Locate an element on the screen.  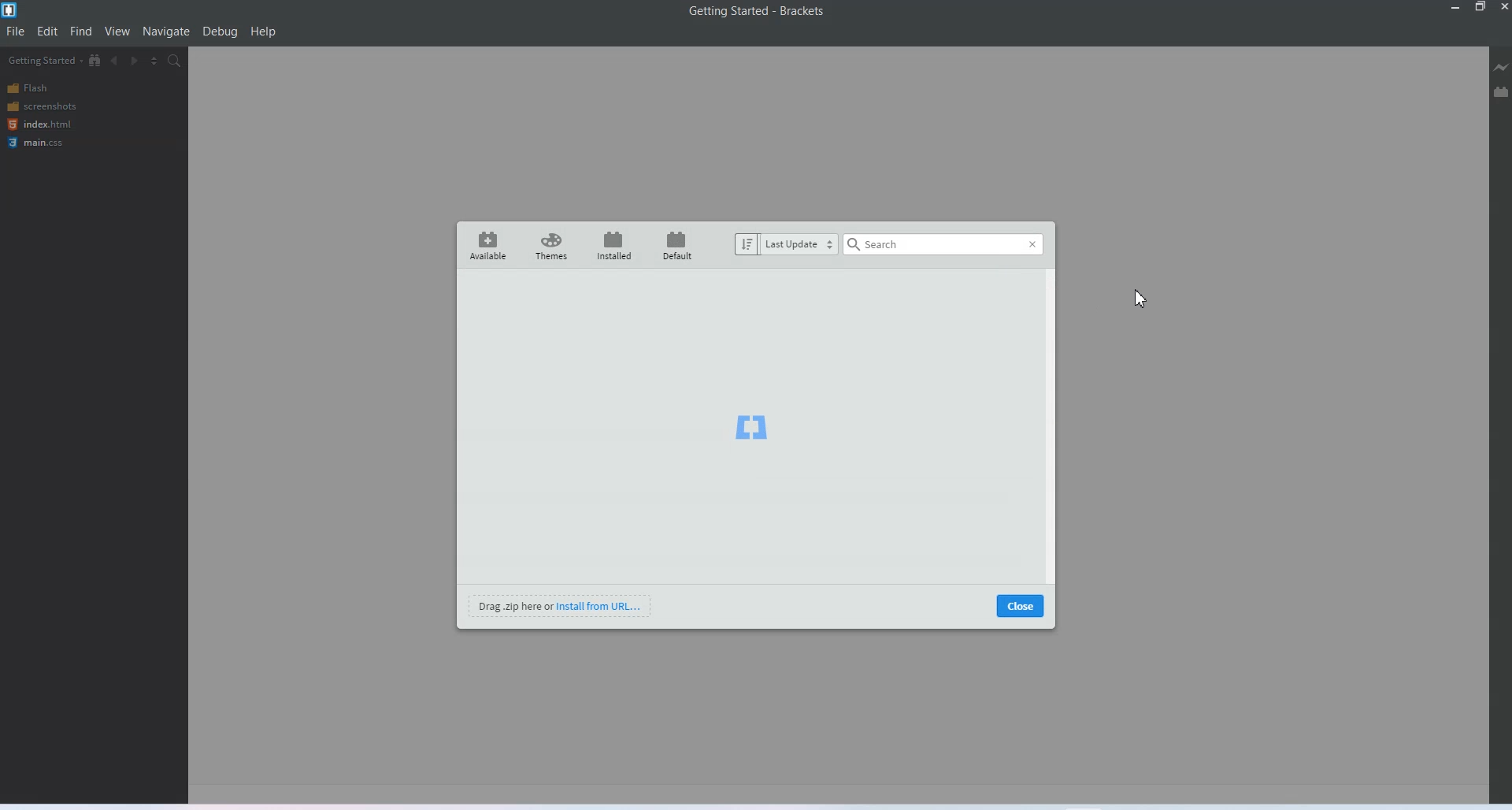
Debug is located at coordinates (220, 32).